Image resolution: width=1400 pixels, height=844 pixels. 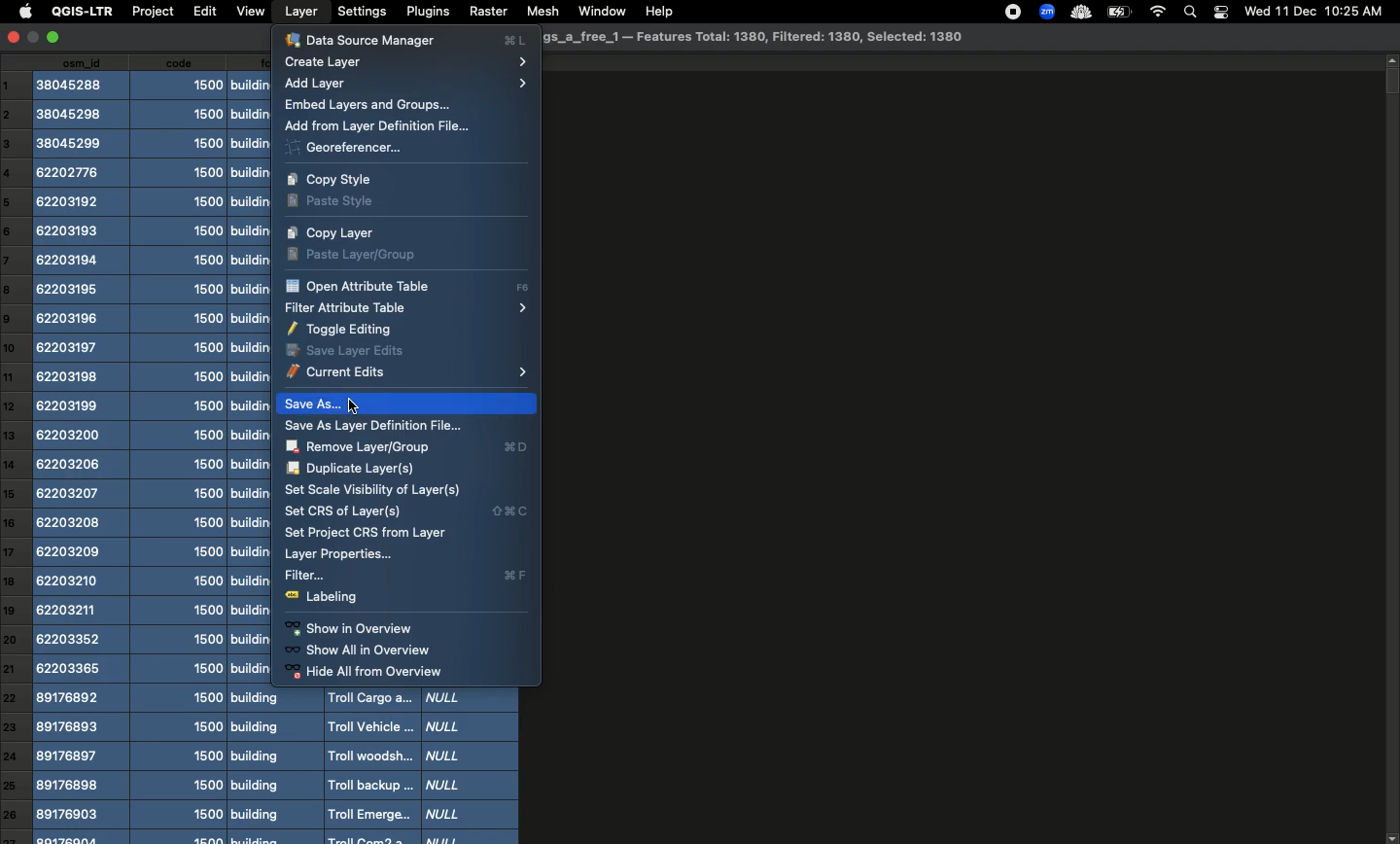 What do you see at coordinates (409, 447) in the screenshot?
I see `Remove layer group` at bounding box center [409, 447].